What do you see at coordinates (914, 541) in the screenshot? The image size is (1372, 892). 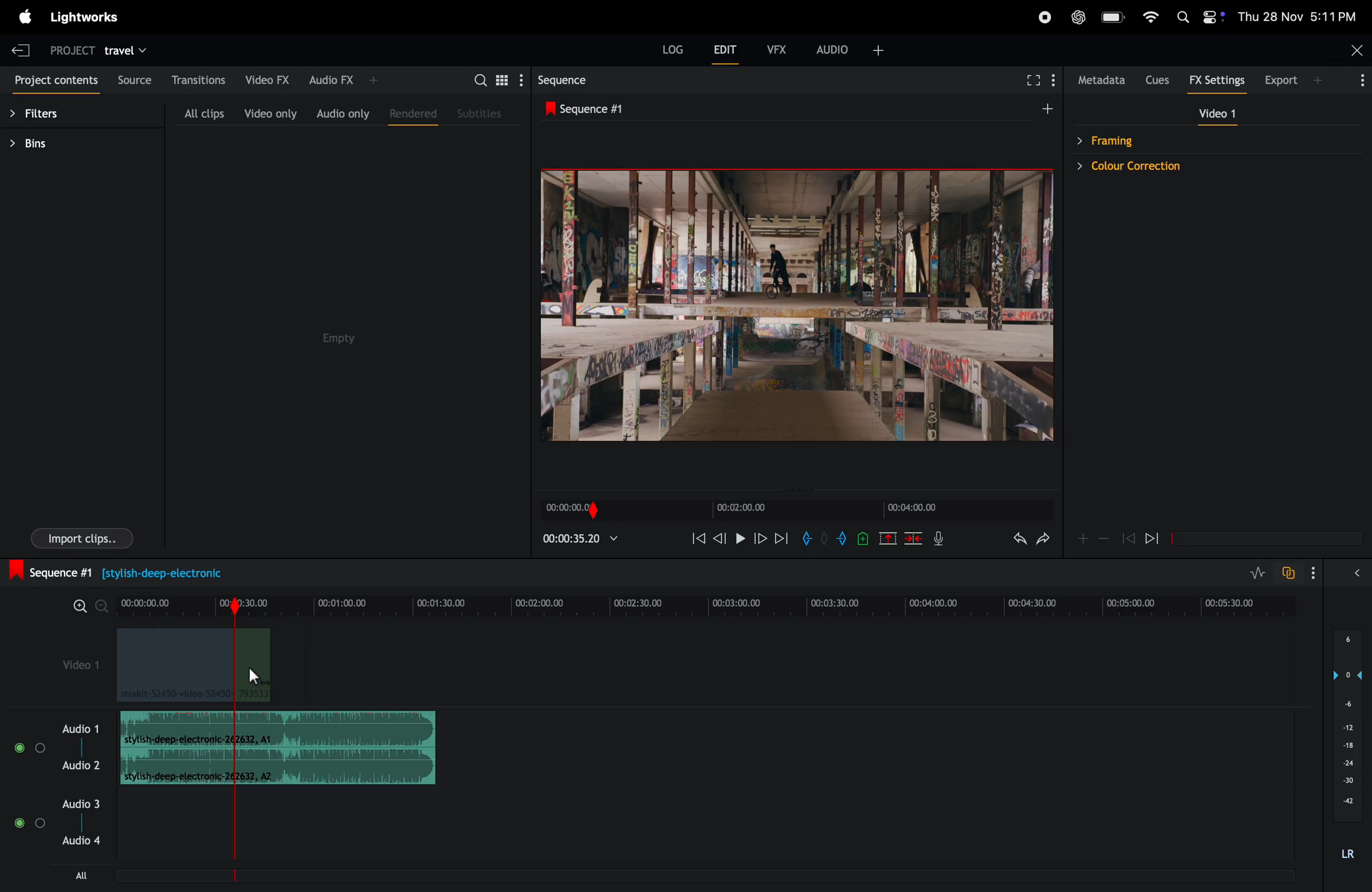 I see `delete ` at bounding box center [914, 541].